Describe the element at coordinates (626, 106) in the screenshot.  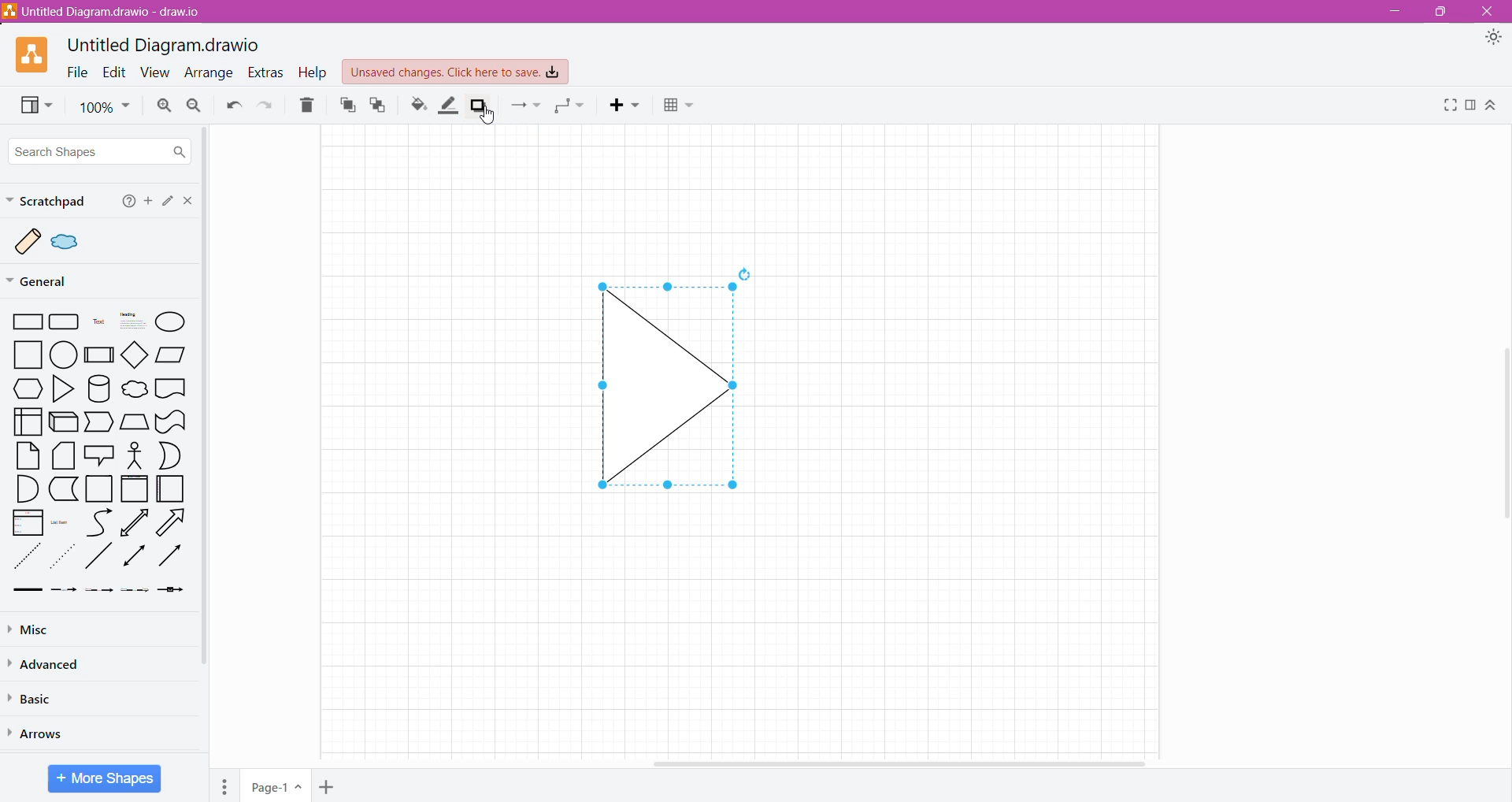
I see `Insert` at that location.